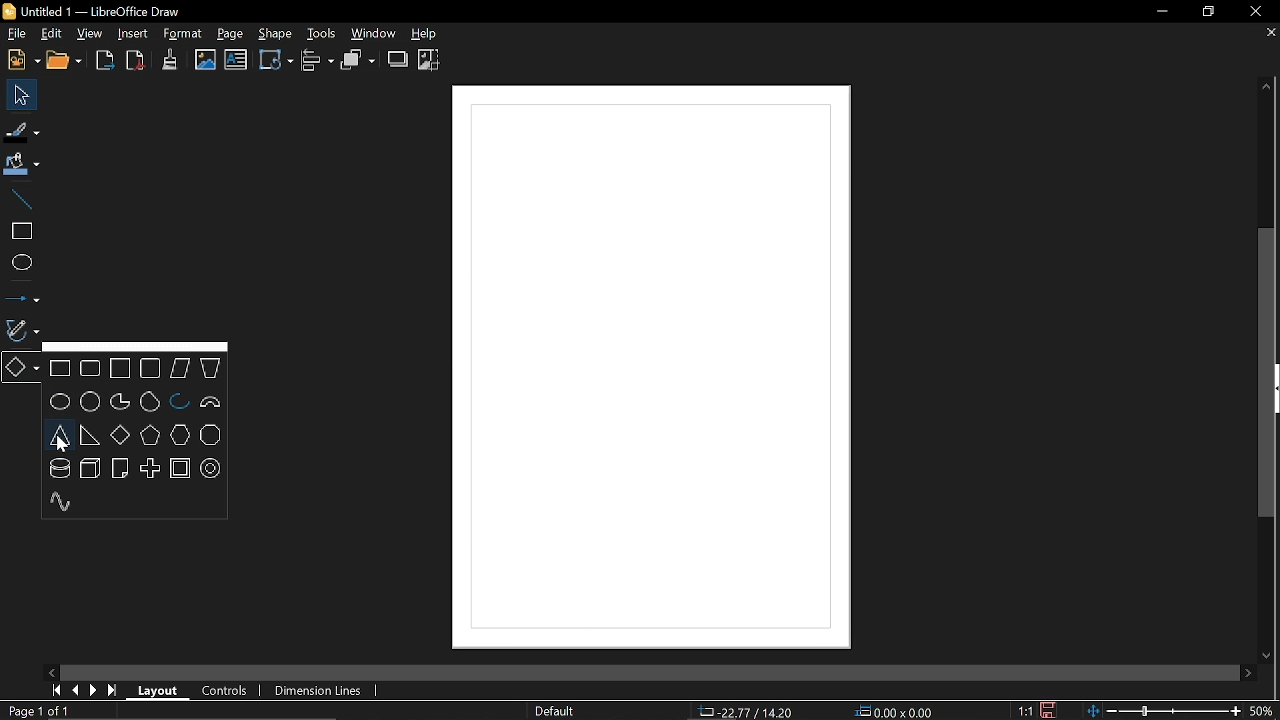 This screenshot has width=1280, height=720. I want to click on dimension lines, so click(316, 692).